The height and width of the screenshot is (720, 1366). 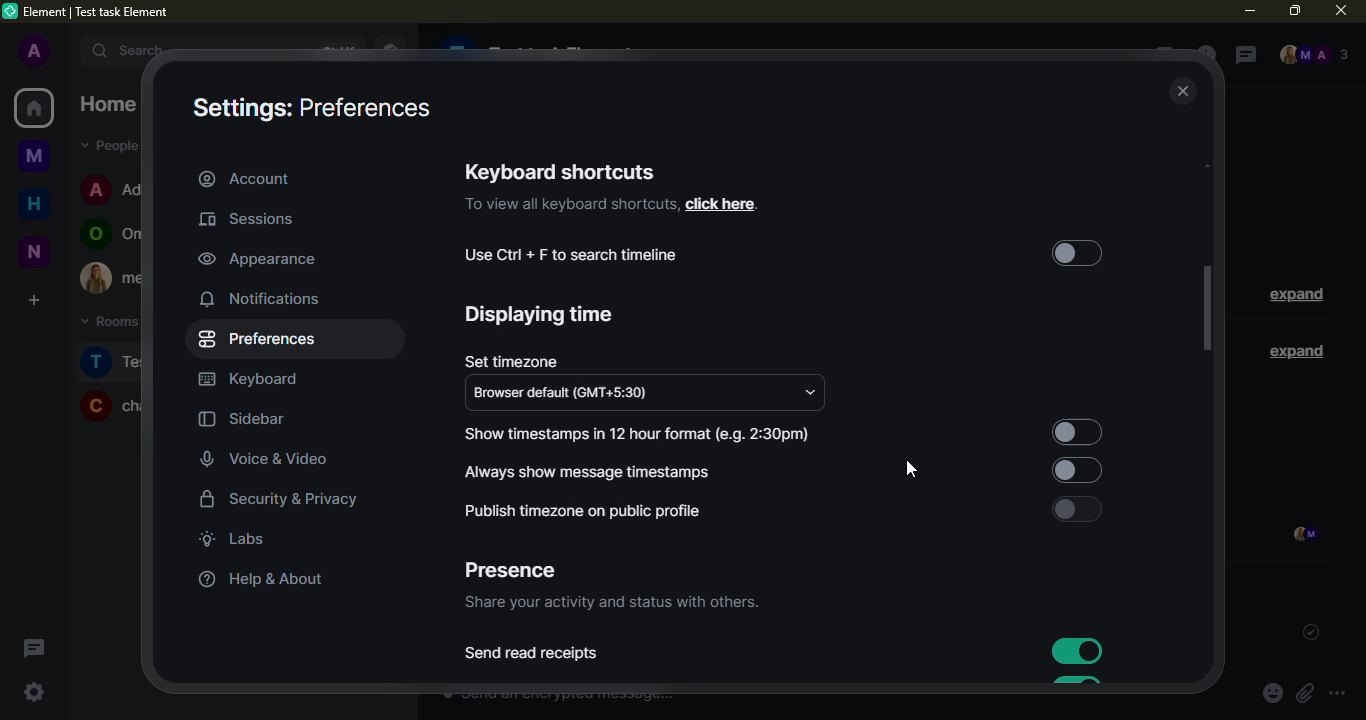 I want to click on appearance, so click(x=258, y=258).